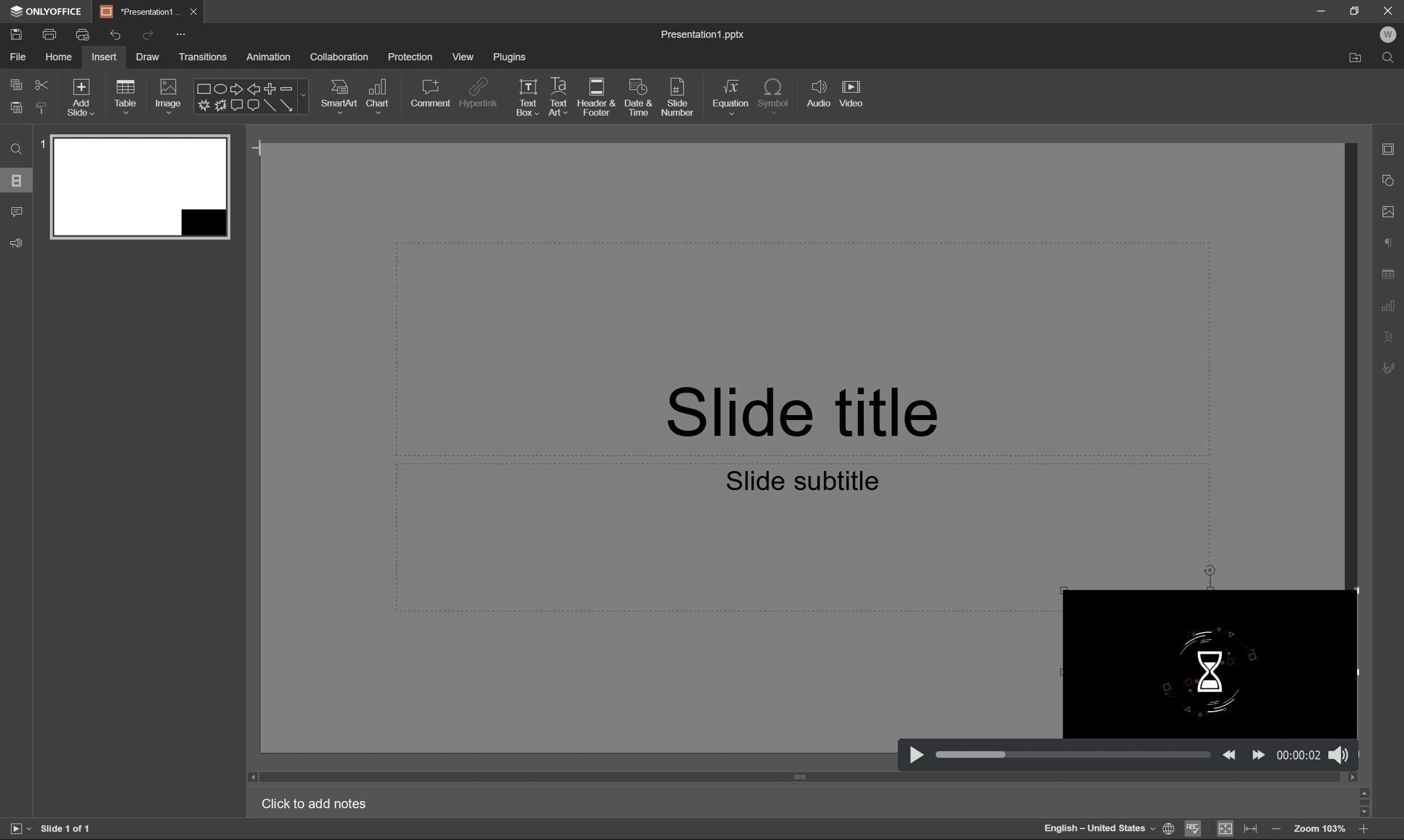 Image resolution: width=1404 pixels, height=840 pixels. I want to click on scroll bar, so click(805, 778).